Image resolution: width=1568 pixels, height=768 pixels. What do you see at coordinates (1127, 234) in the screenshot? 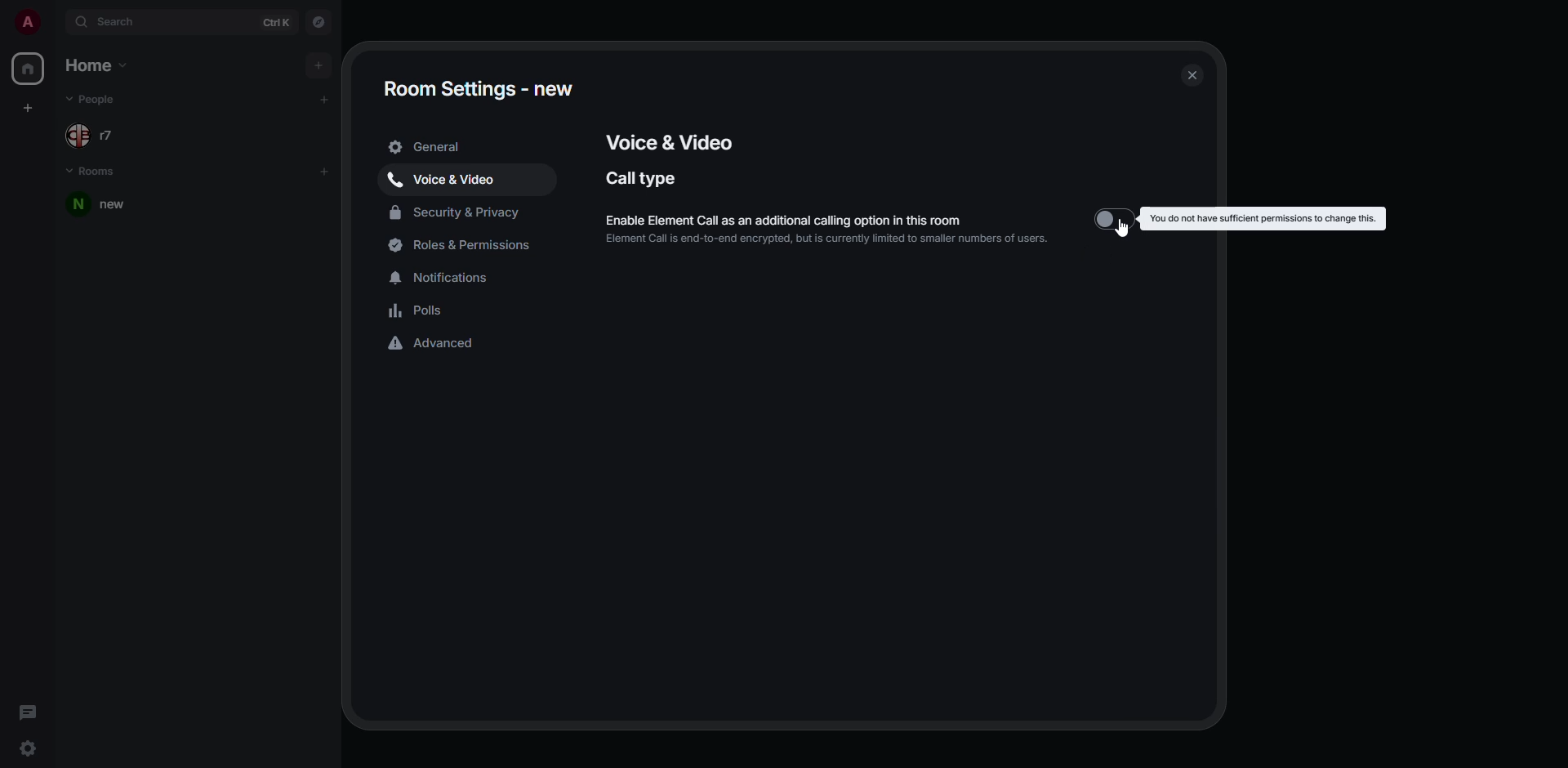
I see `cursor` at bounding box center [1127, 234].